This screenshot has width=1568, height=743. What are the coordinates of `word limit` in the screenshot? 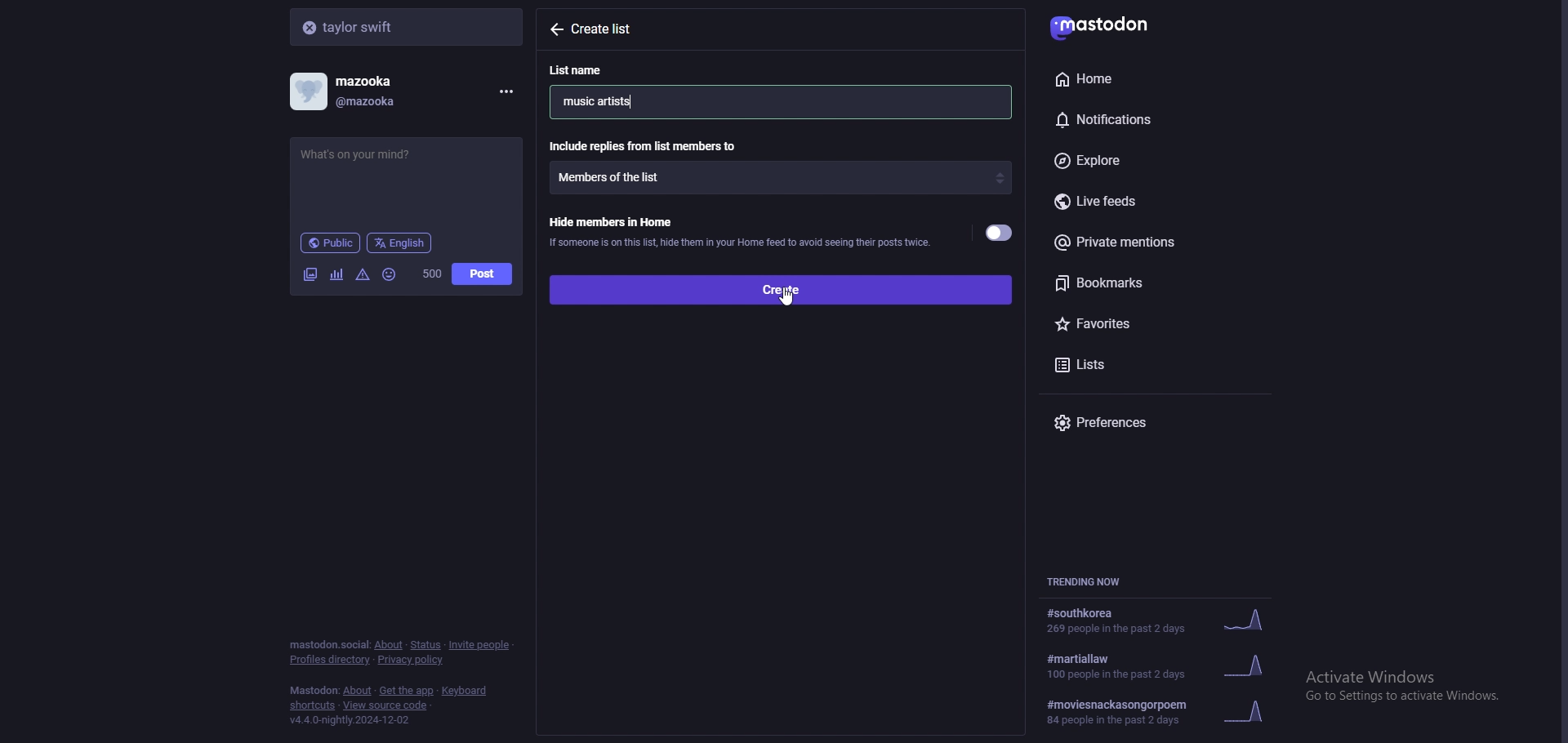 It's located at (430, 274).